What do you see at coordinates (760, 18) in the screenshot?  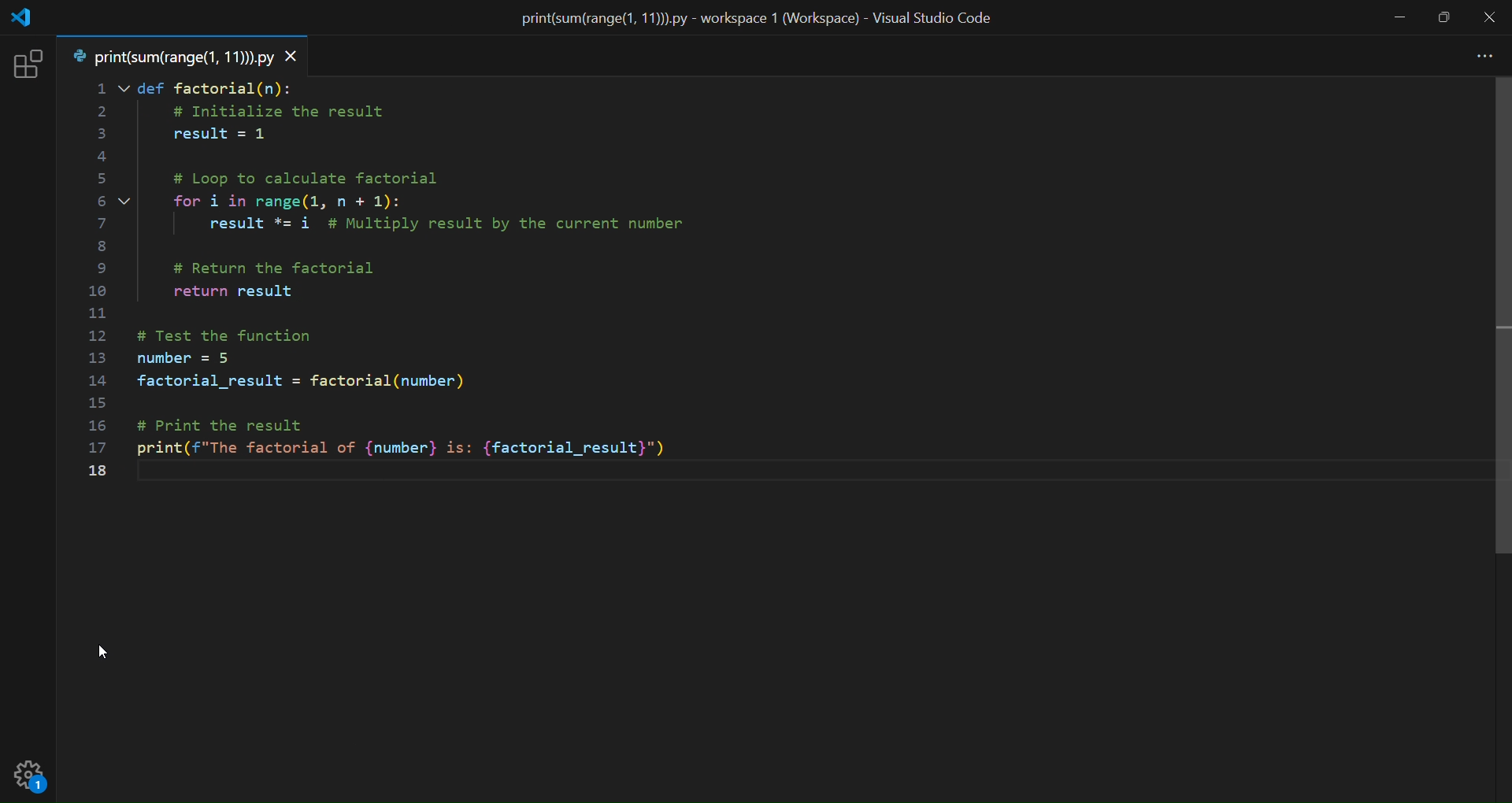 I see `title` at bounding box center [760, 18].